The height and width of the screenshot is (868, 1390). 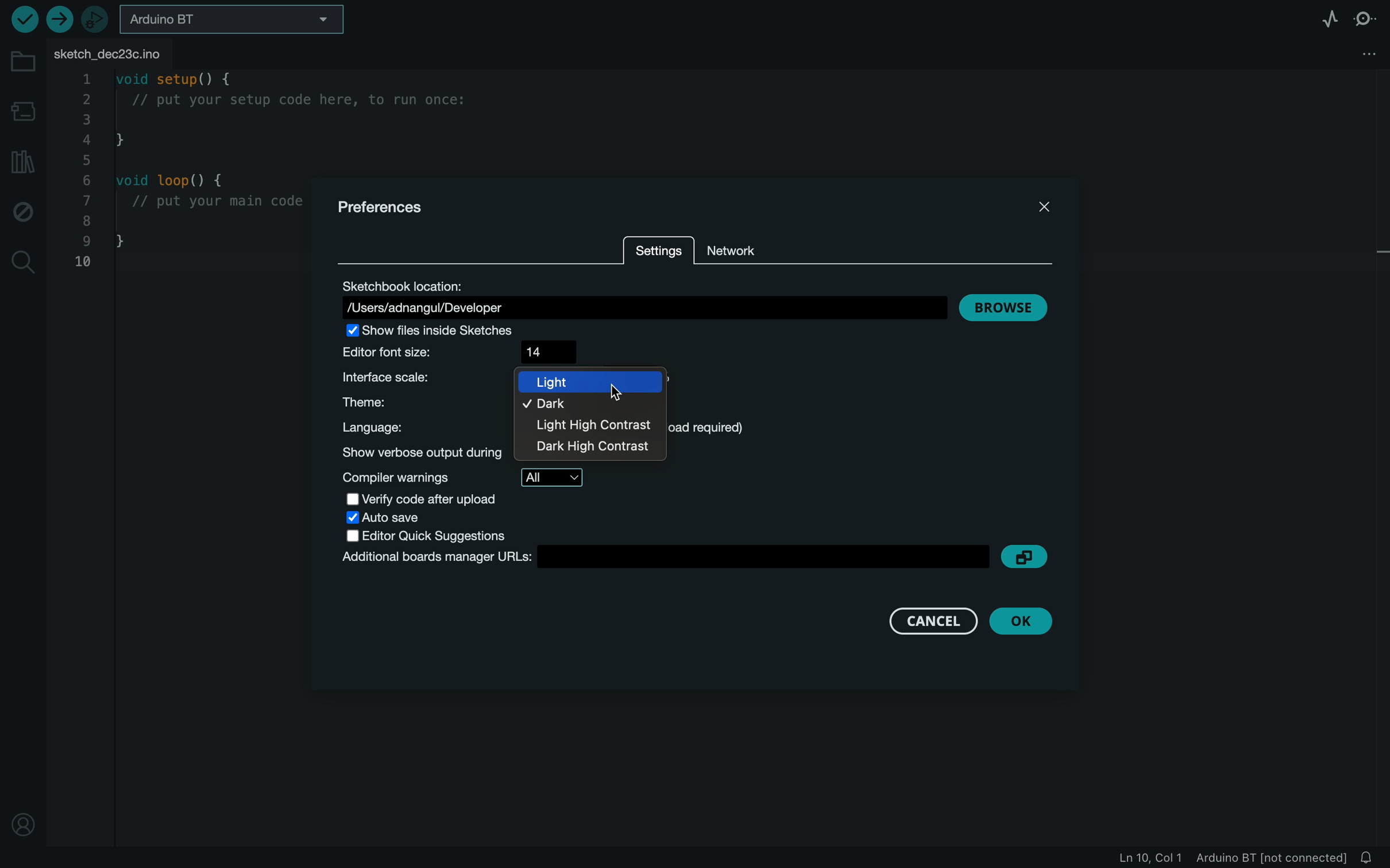 What do you see at coordinates (1323, 18) in the screenshot?
I see `serial plotter` at bounding box center [1323, 18].